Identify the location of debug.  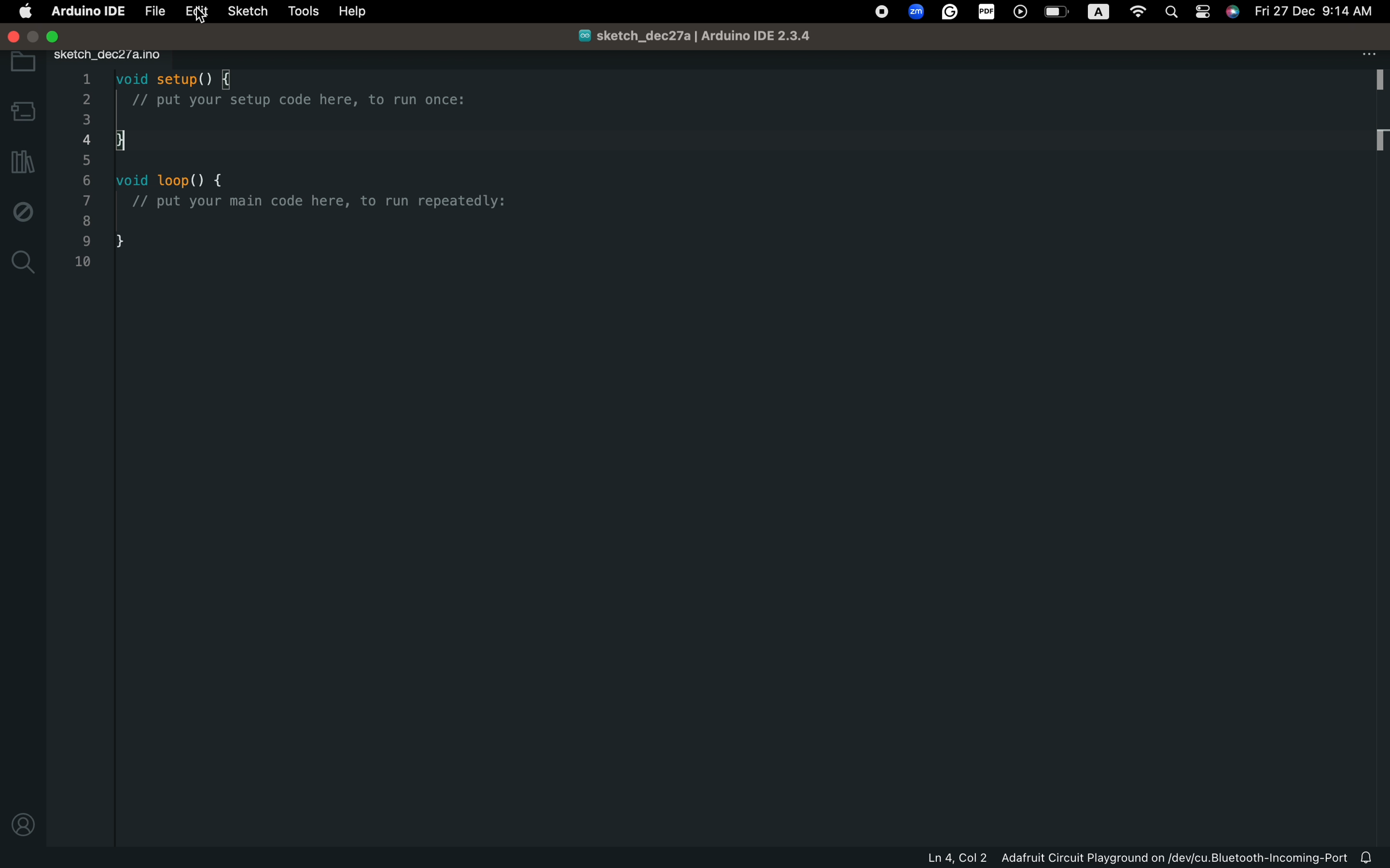
(23, 210).